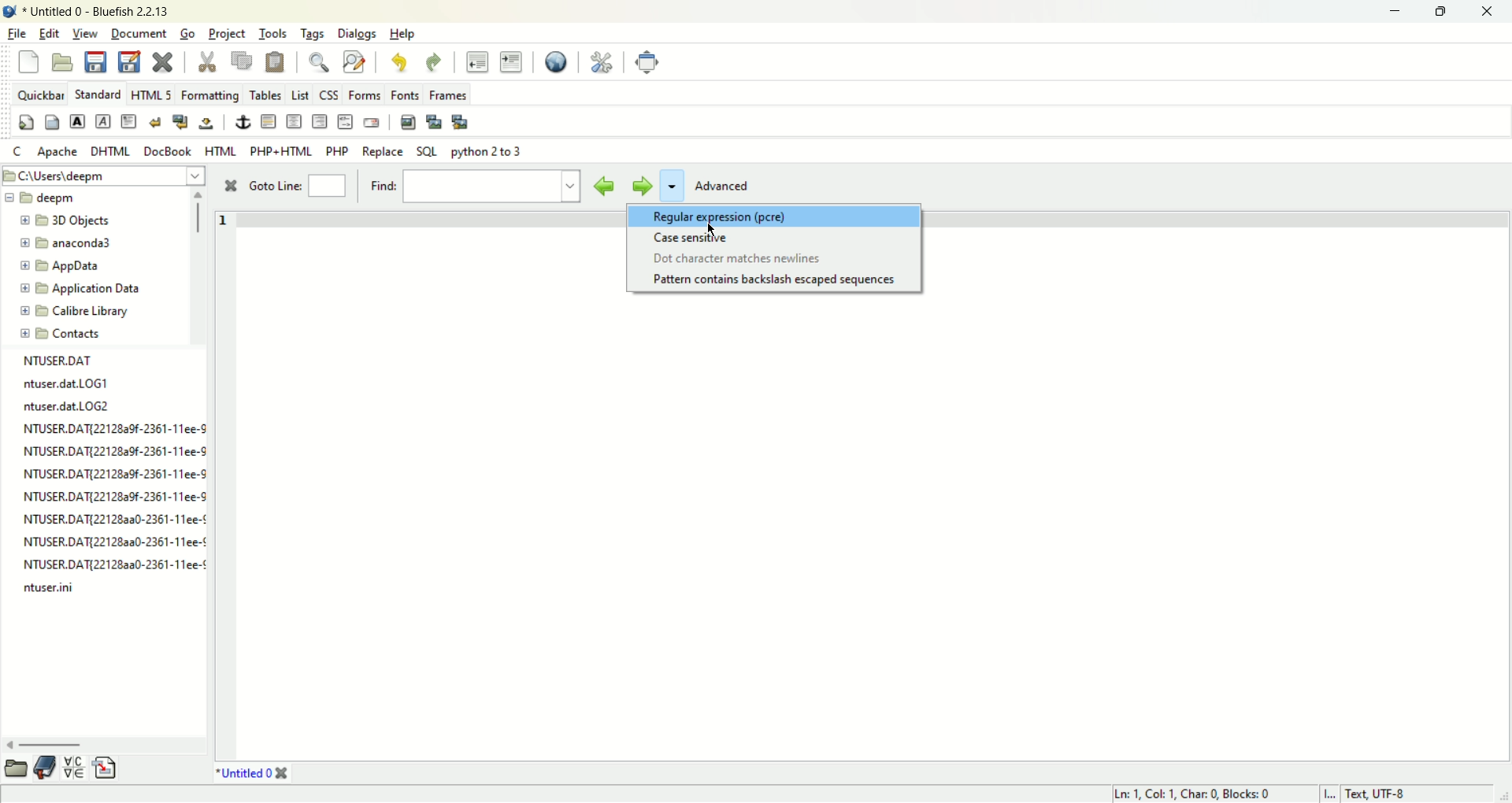 The image size is (1512, 803). Describe the element at coordinates (736, 258) in the screenshot. I see `dot character matches newlines` at that location.